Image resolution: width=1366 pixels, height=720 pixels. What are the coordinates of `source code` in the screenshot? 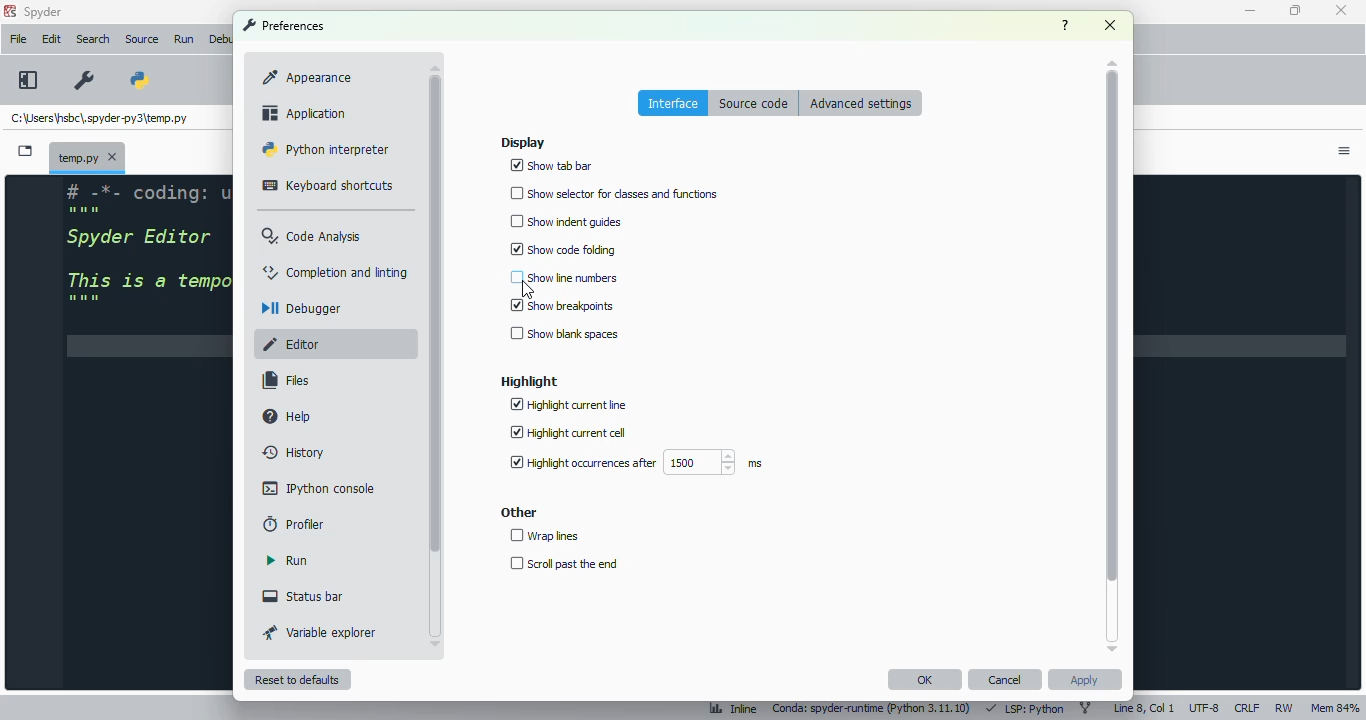 It's located at (756, 104).